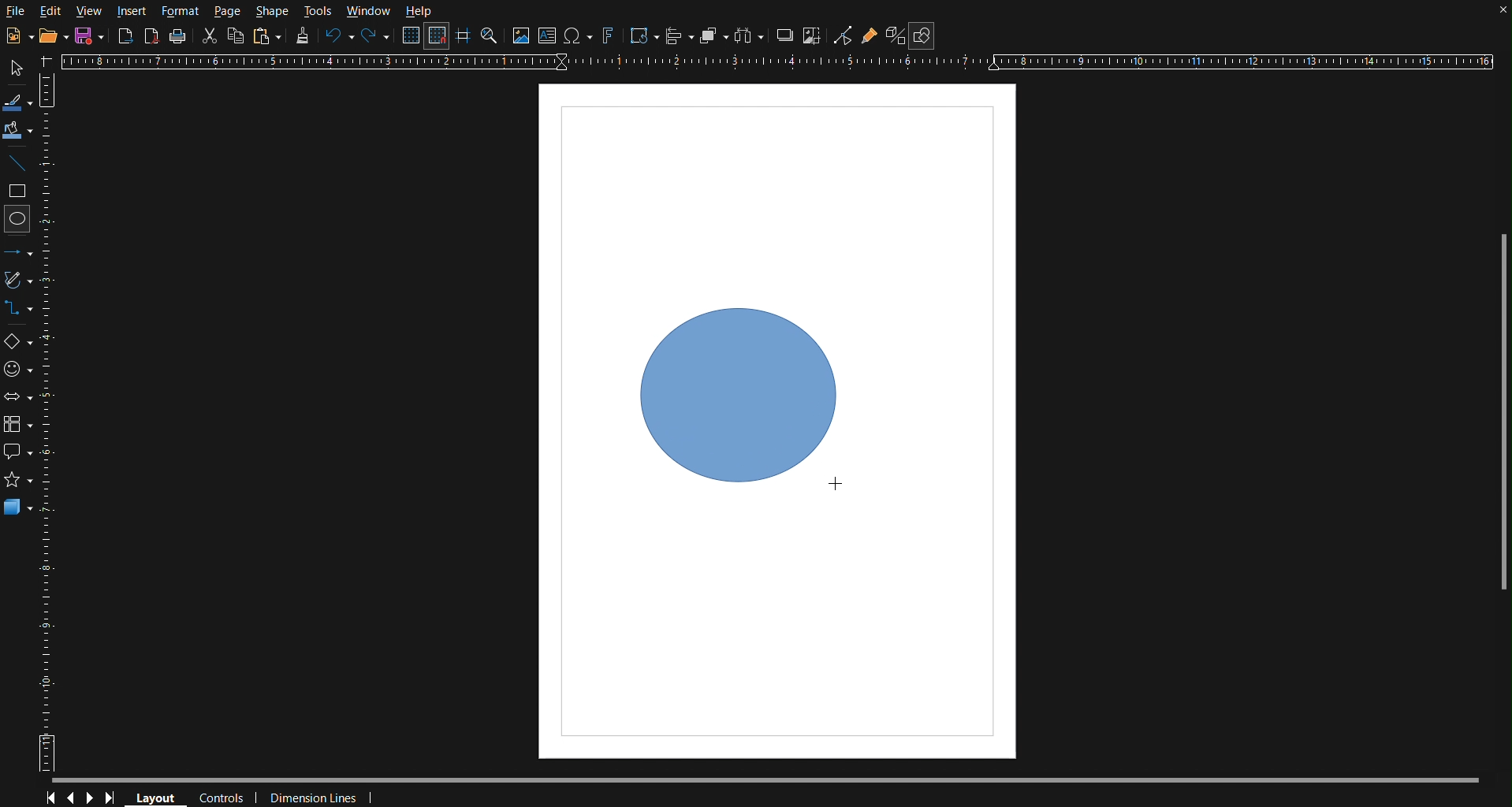 This screenshot has width=1512, height=807. Describe the element at coordinates (922, 36) in the screenshot. I see `Show Draw Functions` at that location.